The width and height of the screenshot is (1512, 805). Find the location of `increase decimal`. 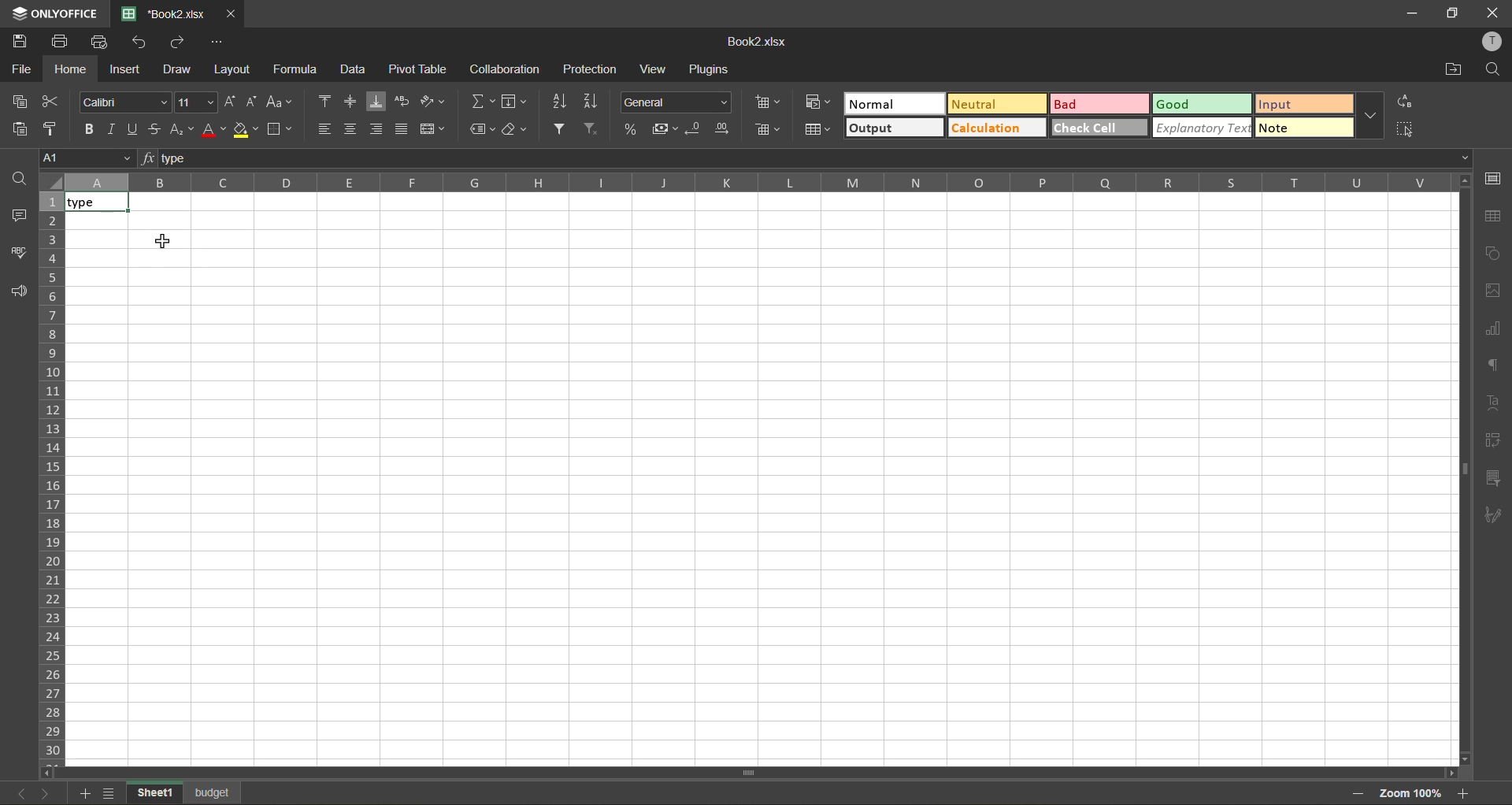

increase decimal is located at coordinates (723, 128).